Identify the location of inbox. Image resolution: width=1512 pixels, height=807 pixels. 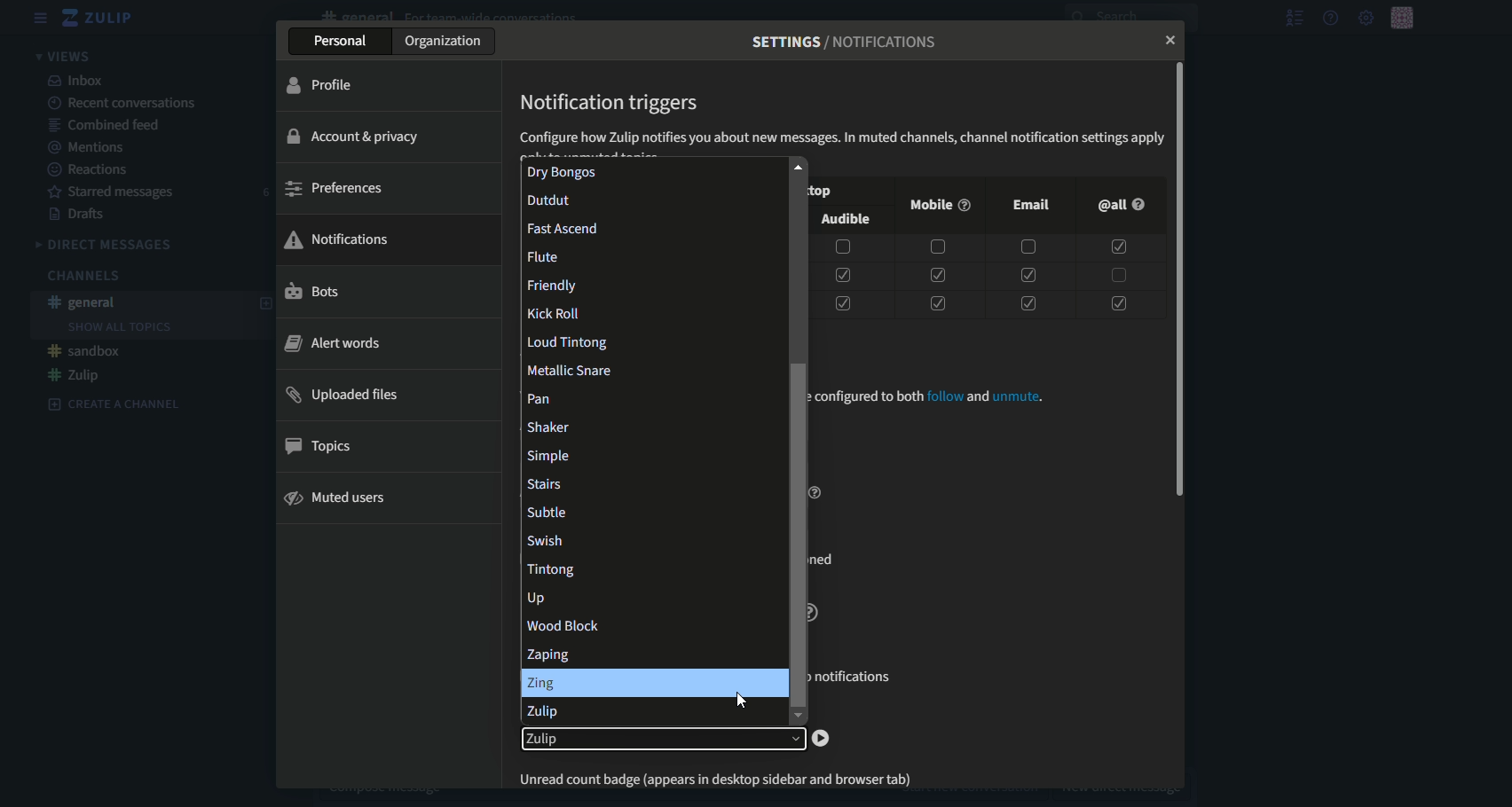
(77, 80).